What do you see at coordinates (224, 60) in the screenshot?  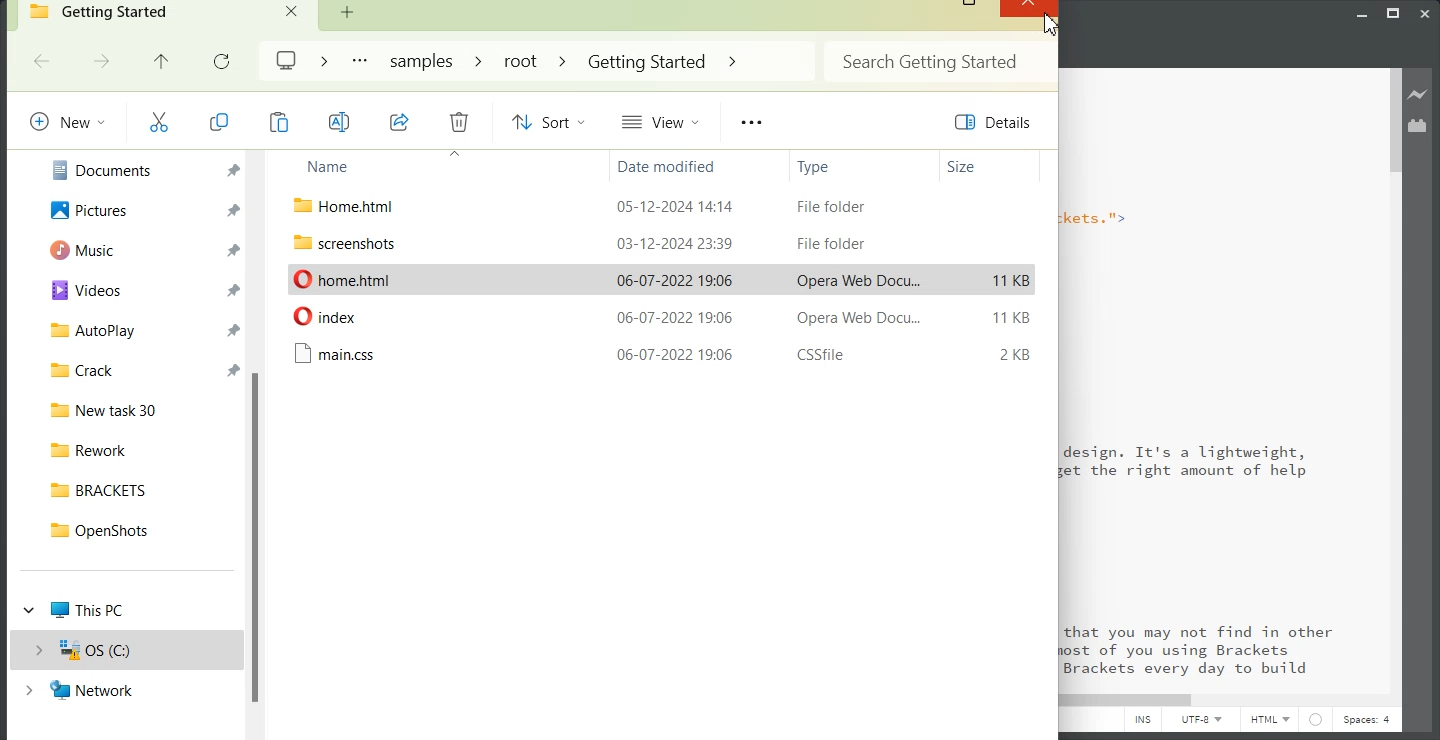 I see `Refresh` at bounding box center [224, 60].